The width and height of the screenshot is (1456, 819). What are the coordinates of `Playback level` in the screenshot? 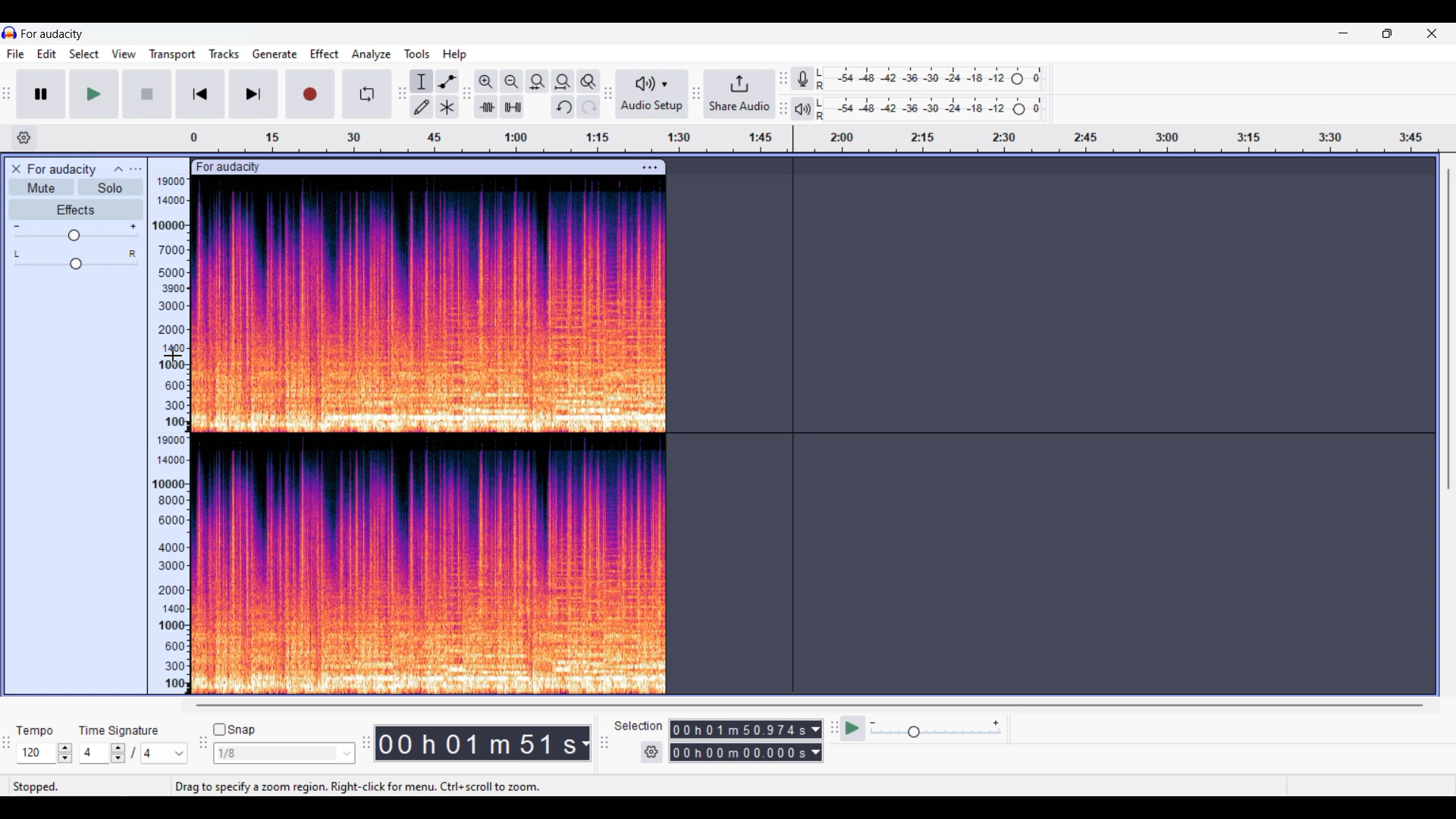 It's located at (934, 110).